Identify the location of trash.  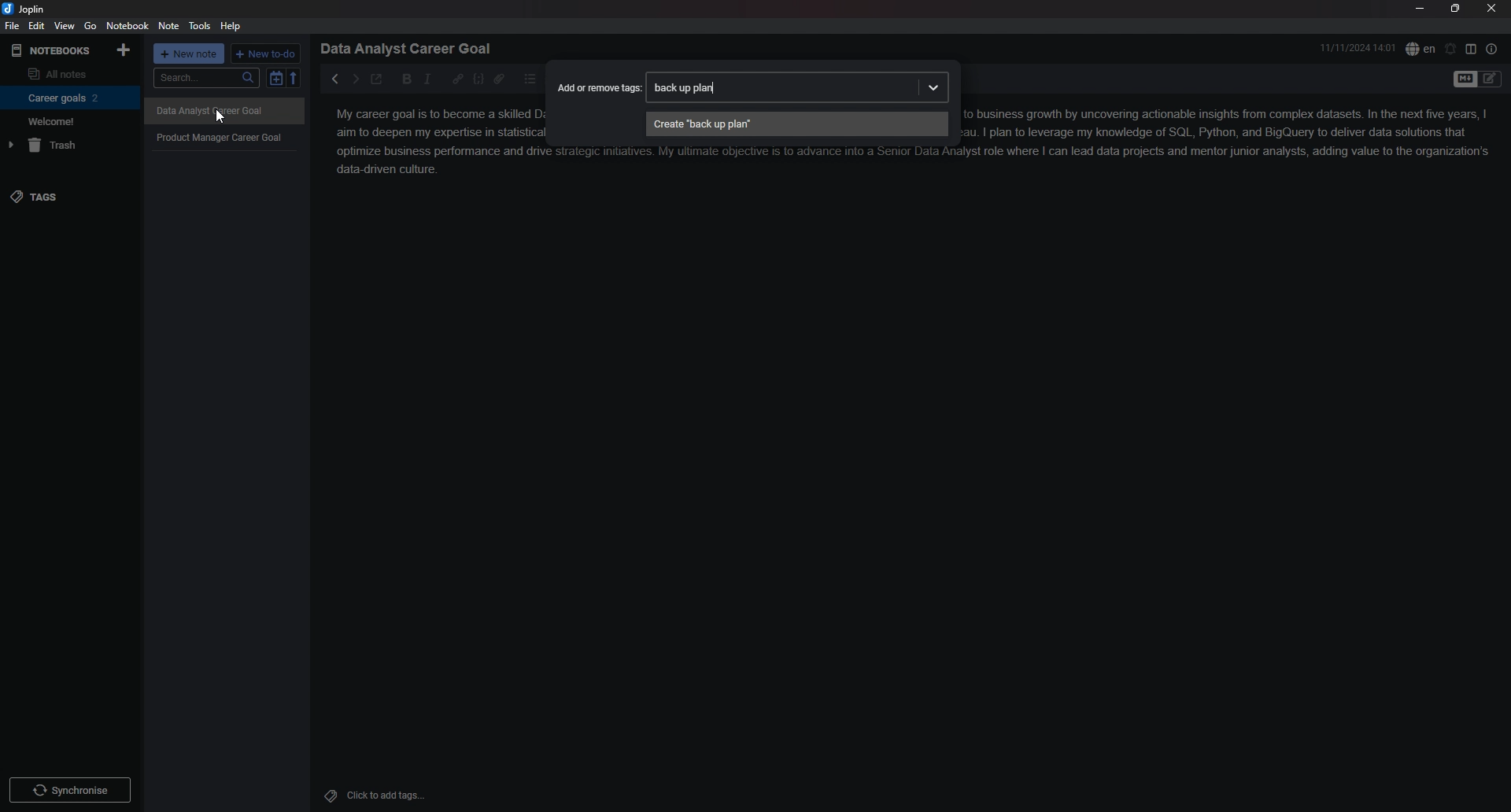
(68, 145).